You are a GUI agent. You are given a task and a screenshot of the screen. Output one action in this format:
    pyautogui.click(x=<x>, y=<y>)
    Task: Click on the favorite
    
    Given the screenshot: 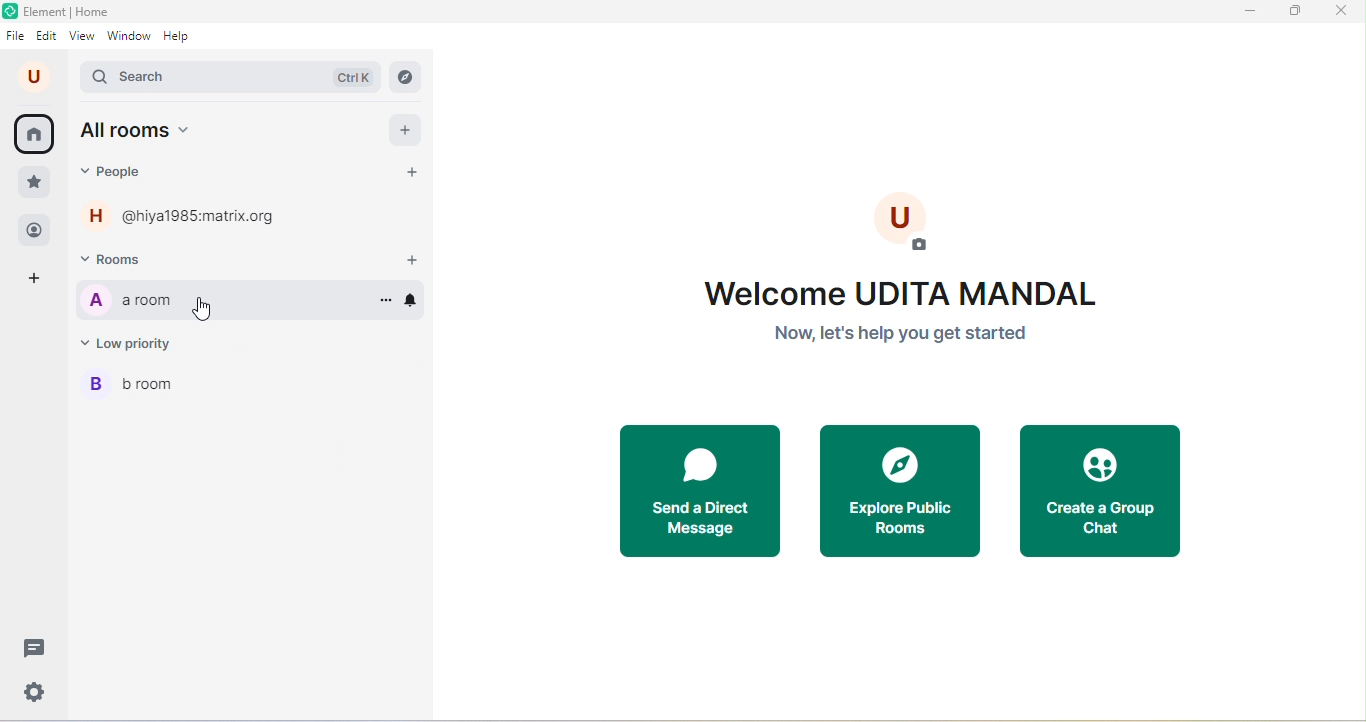 What is the action you would take?
    pyautogui.click(x=33, y=183)
    